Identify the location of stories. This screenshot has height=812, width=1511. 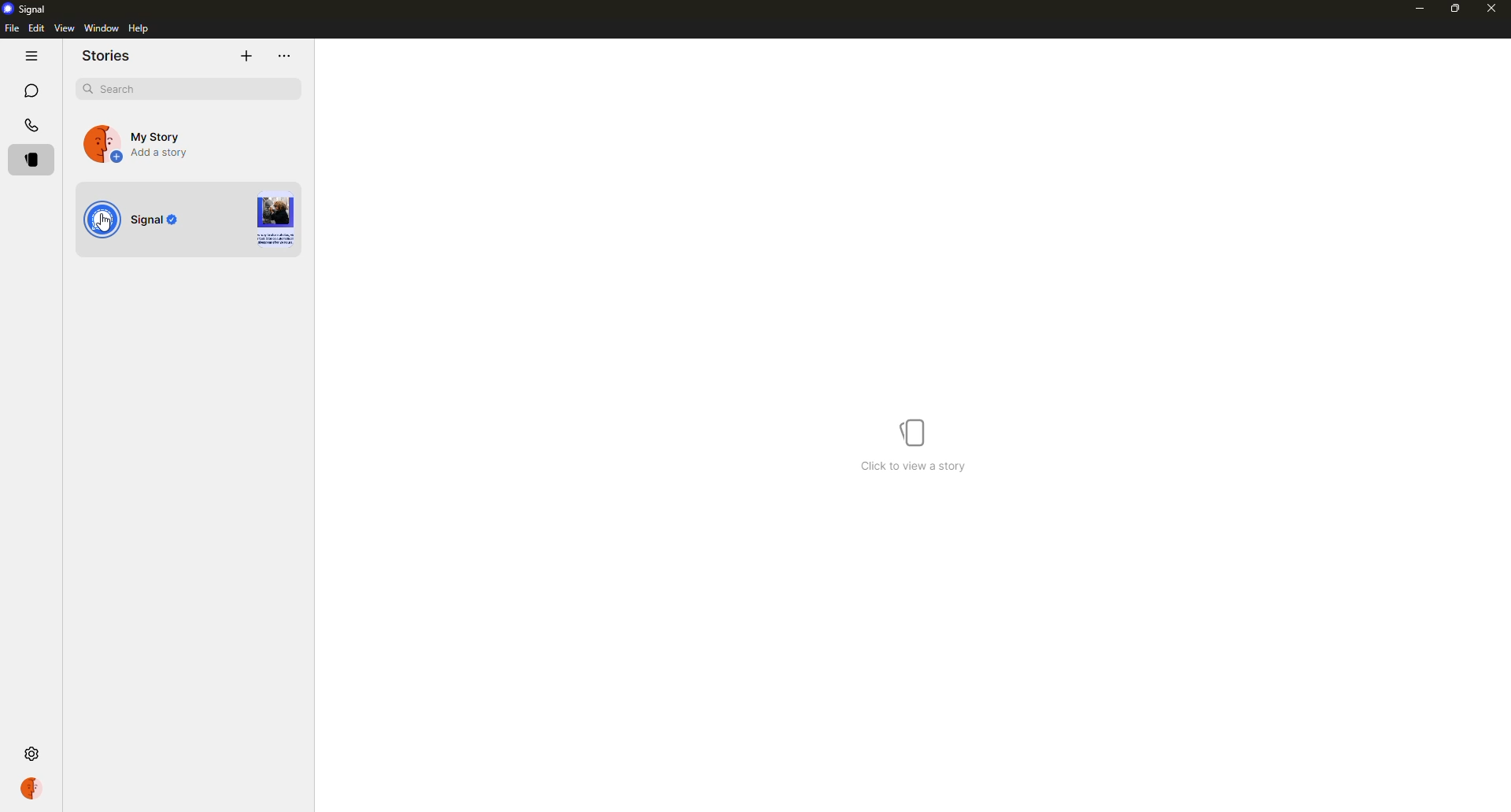
(106, 57).